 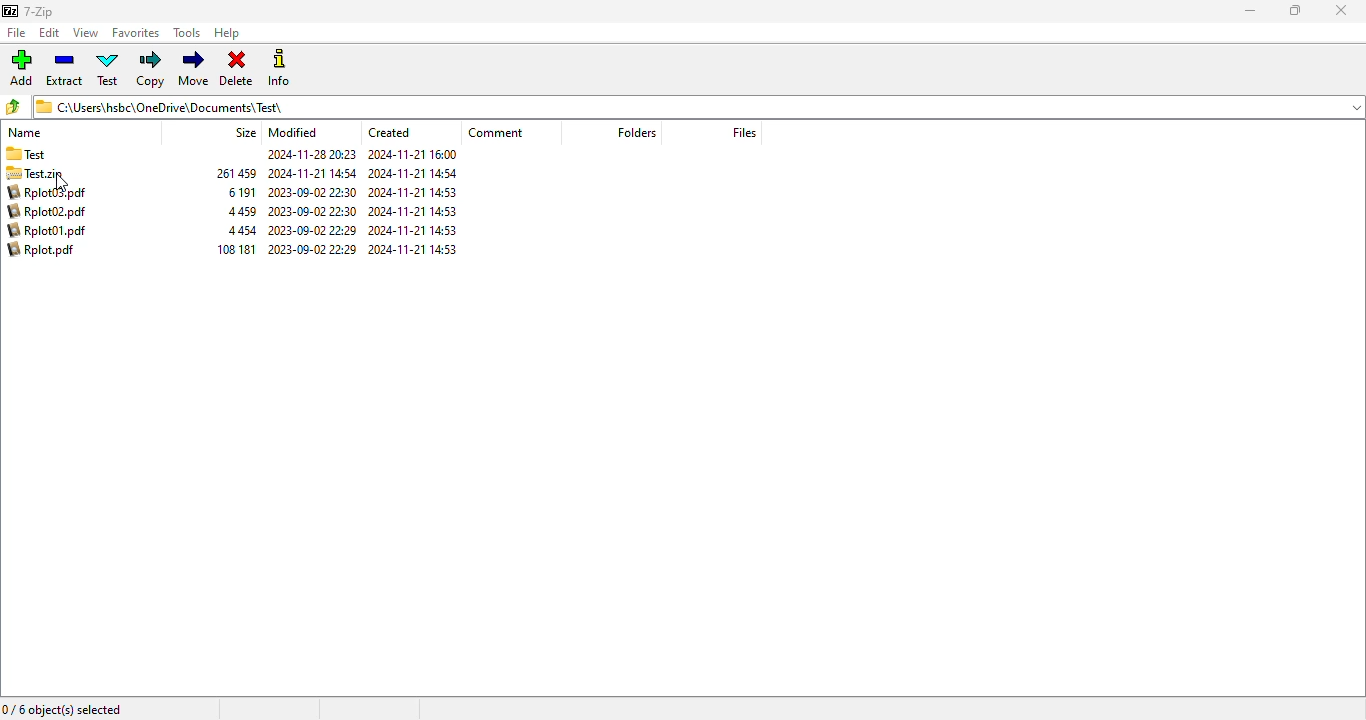 I want to click on add, so click(x=22, y=68).